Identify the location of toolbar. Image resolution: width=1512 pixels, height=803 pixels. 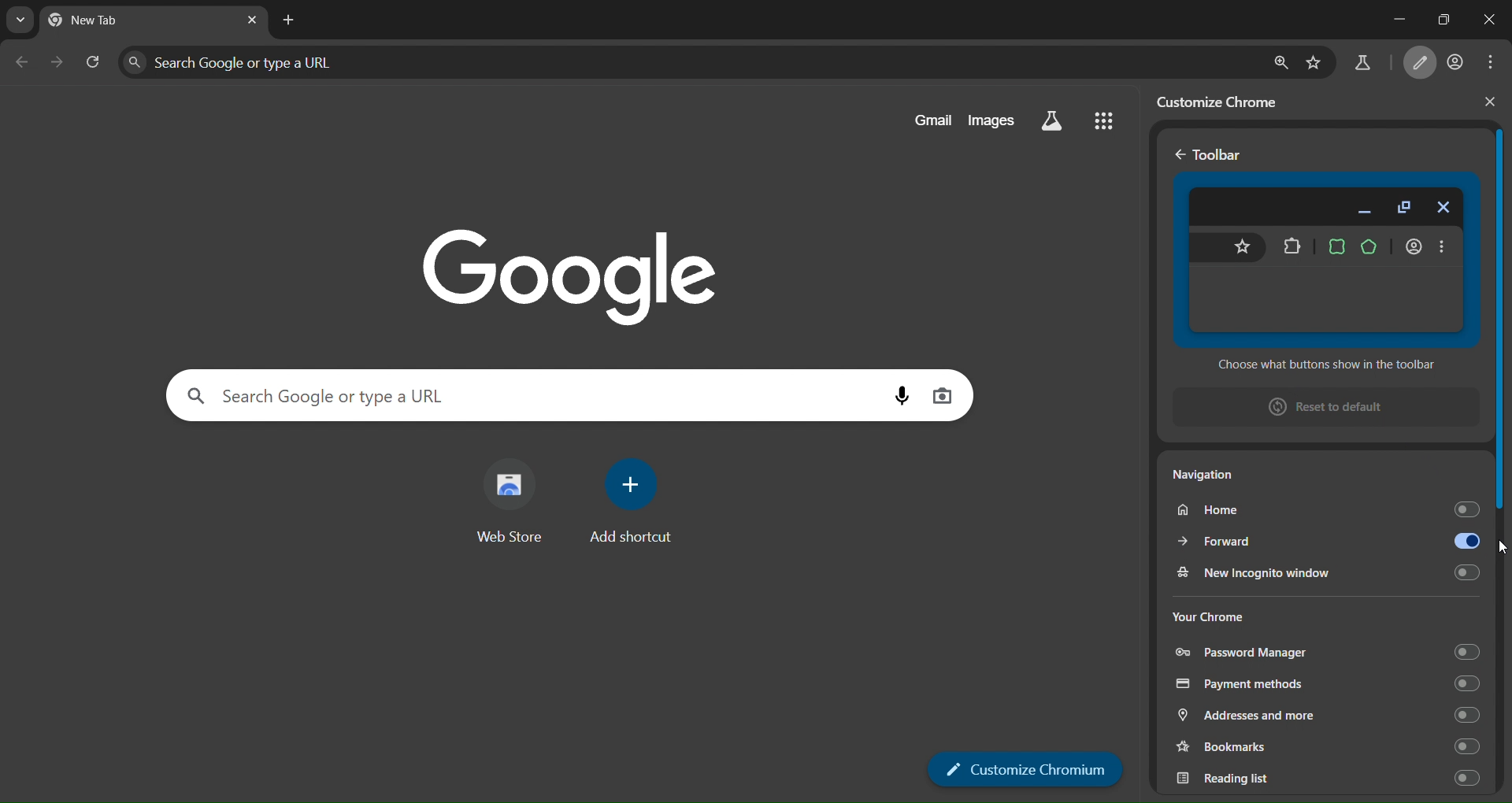
(1217, 155).